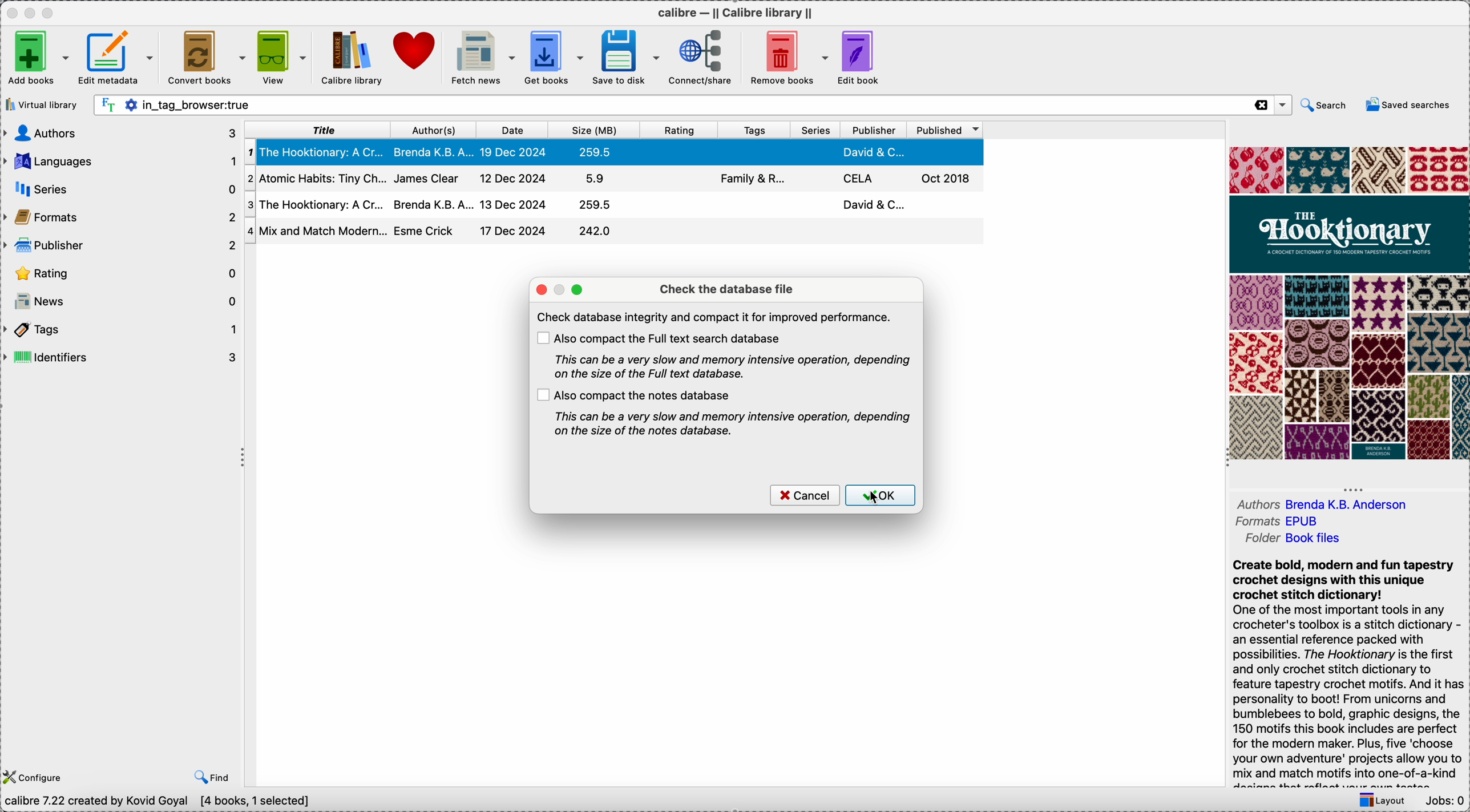  Describe the element at coordinates (1348, 302) in the screenshot. I see `book cover preview` at that location.